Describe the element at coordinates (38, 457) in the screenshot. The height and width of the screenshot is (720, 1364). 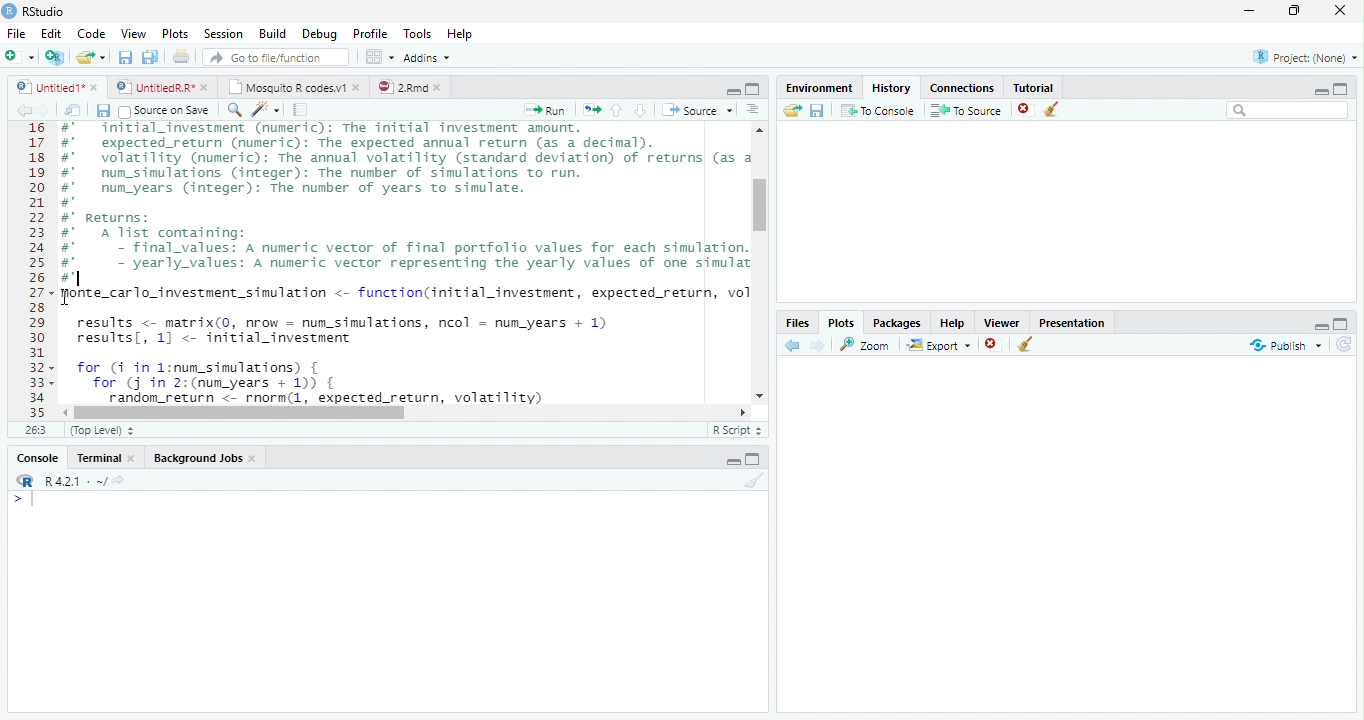
I see `Console` at that location.